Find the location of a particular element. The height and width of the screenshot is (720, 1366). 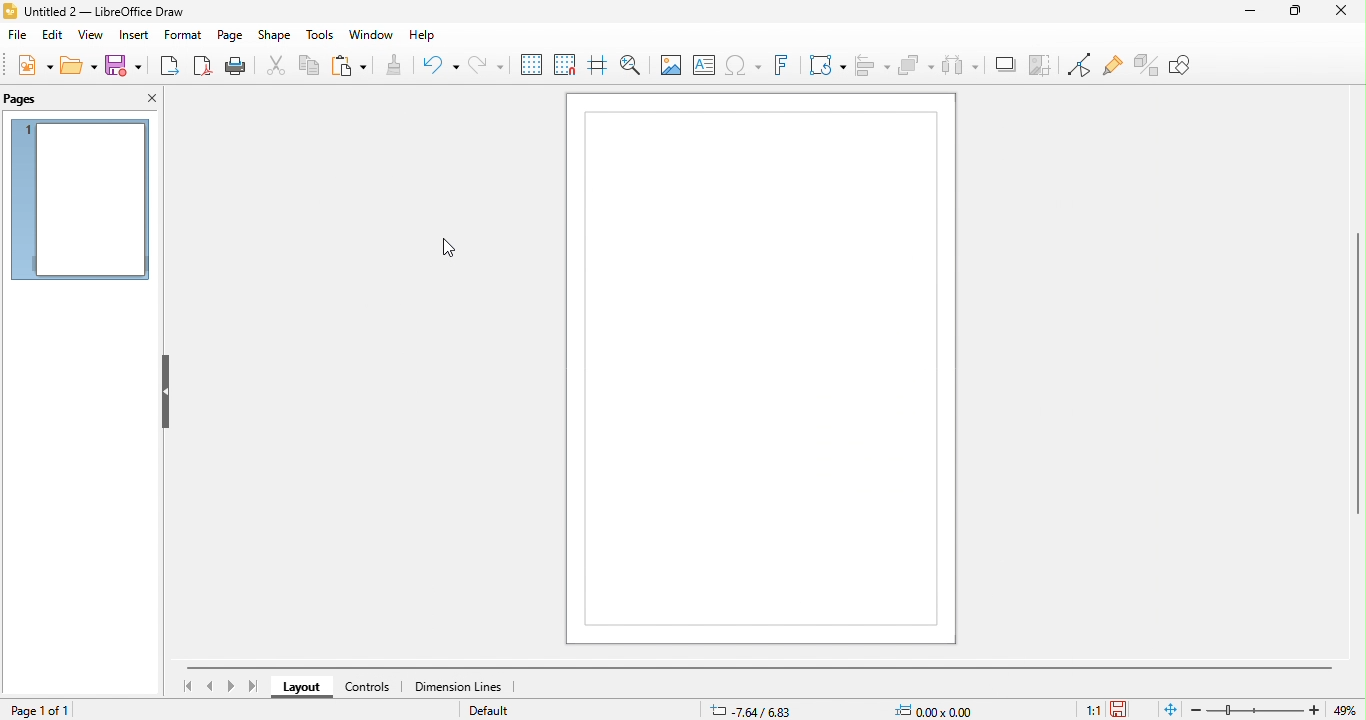

display grid is located at coordinates (529, 62).